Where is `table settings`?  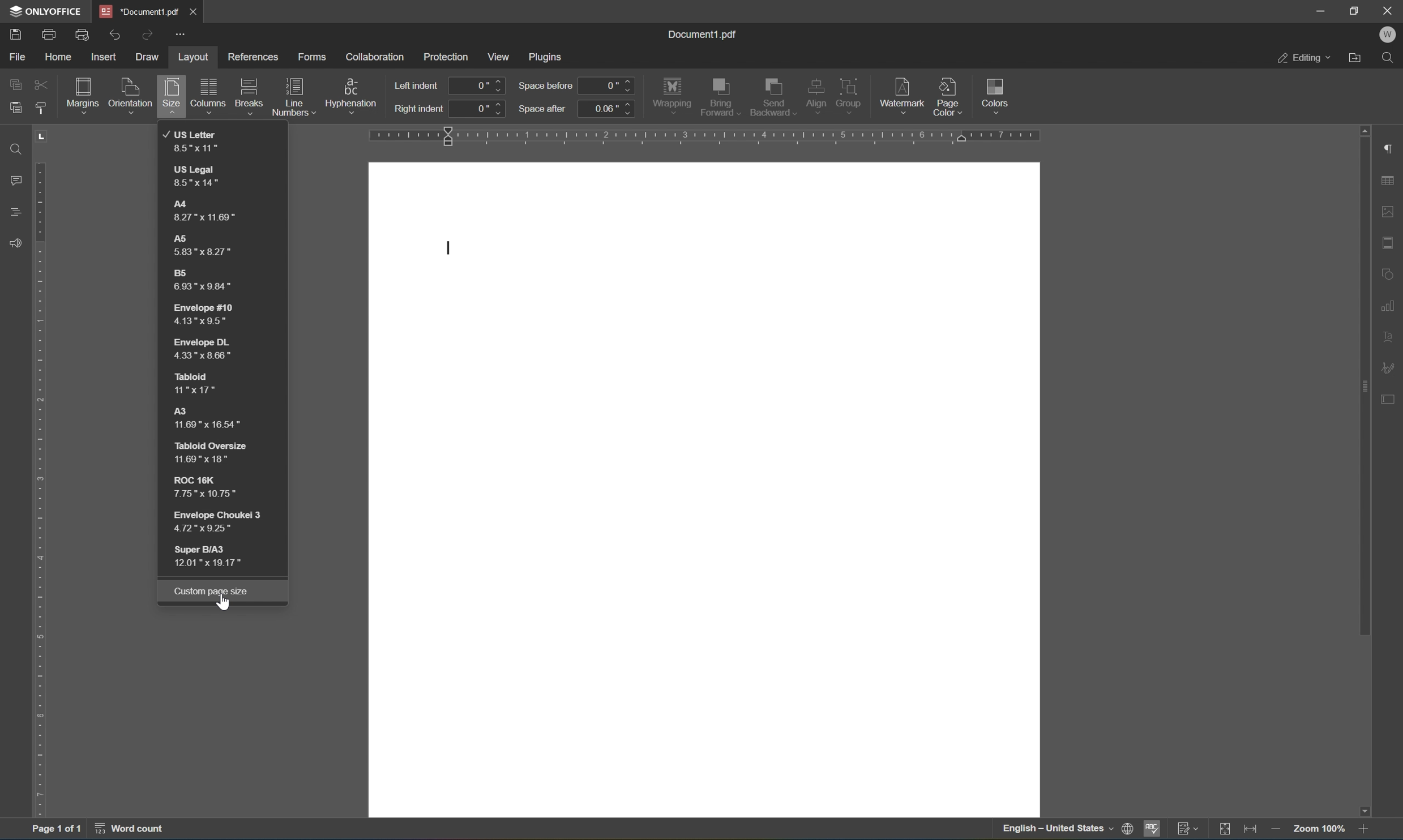 table settings is located at coordinates (1389, 181).